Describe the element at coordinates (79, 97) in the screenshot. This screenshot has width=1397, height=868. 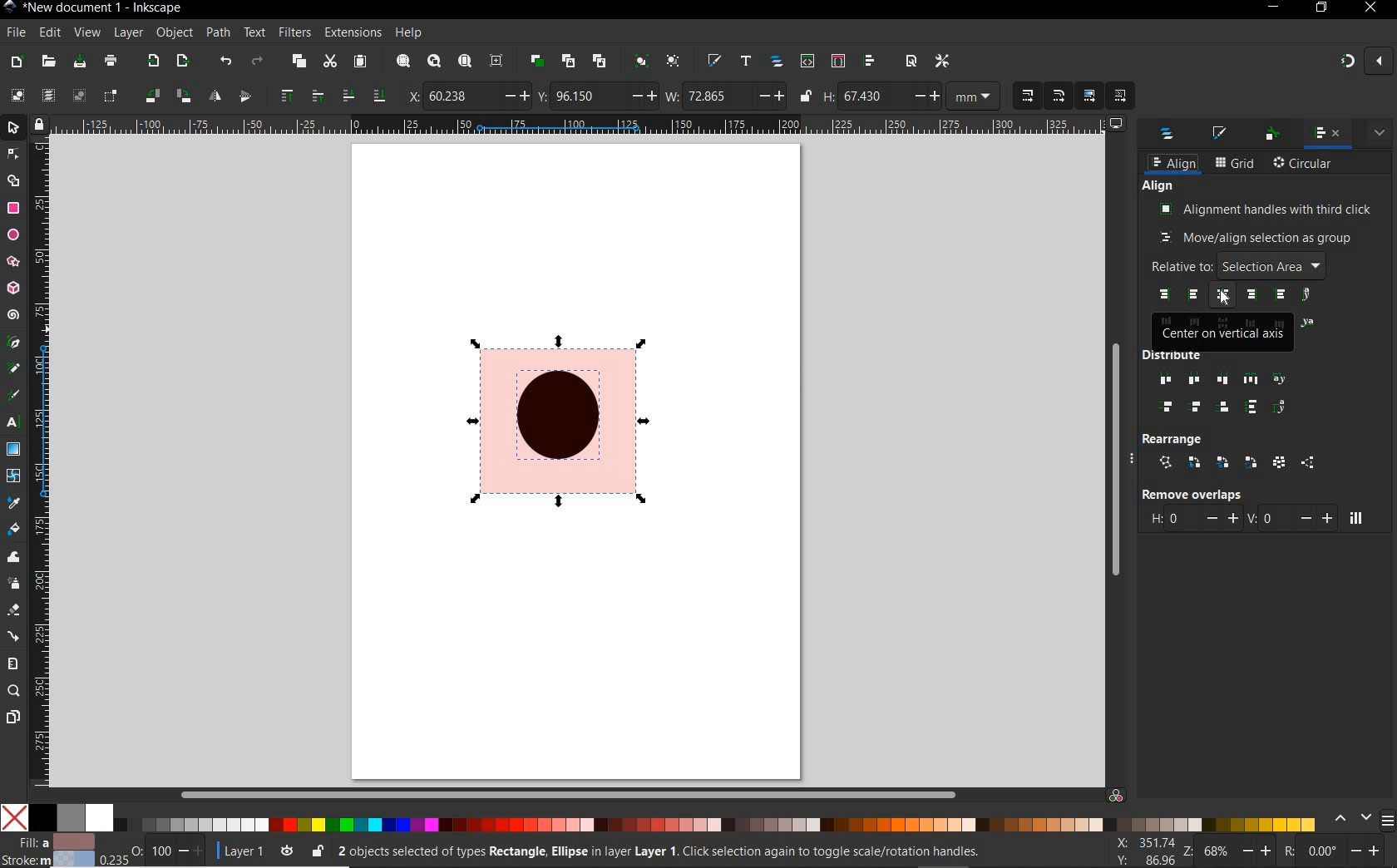
I see `deselect` at that location.